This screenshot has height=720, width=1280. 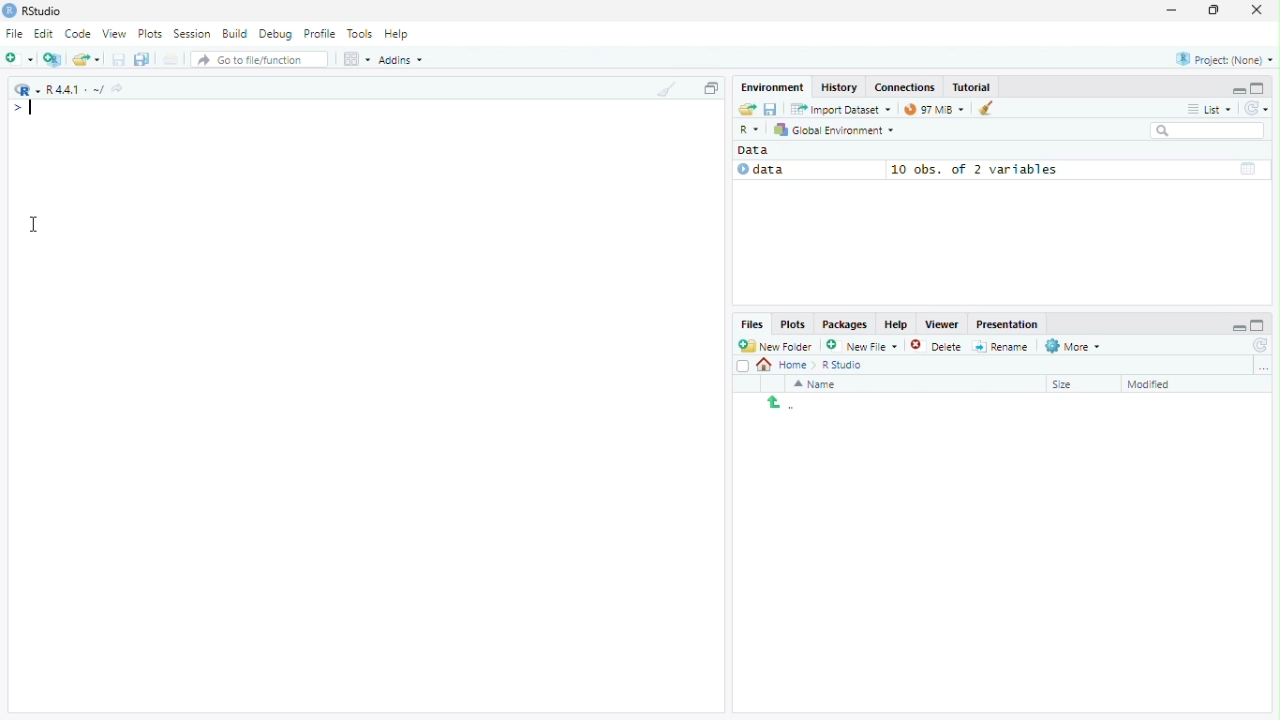 I want to click on selected language - R, so click(x=750, y=129).